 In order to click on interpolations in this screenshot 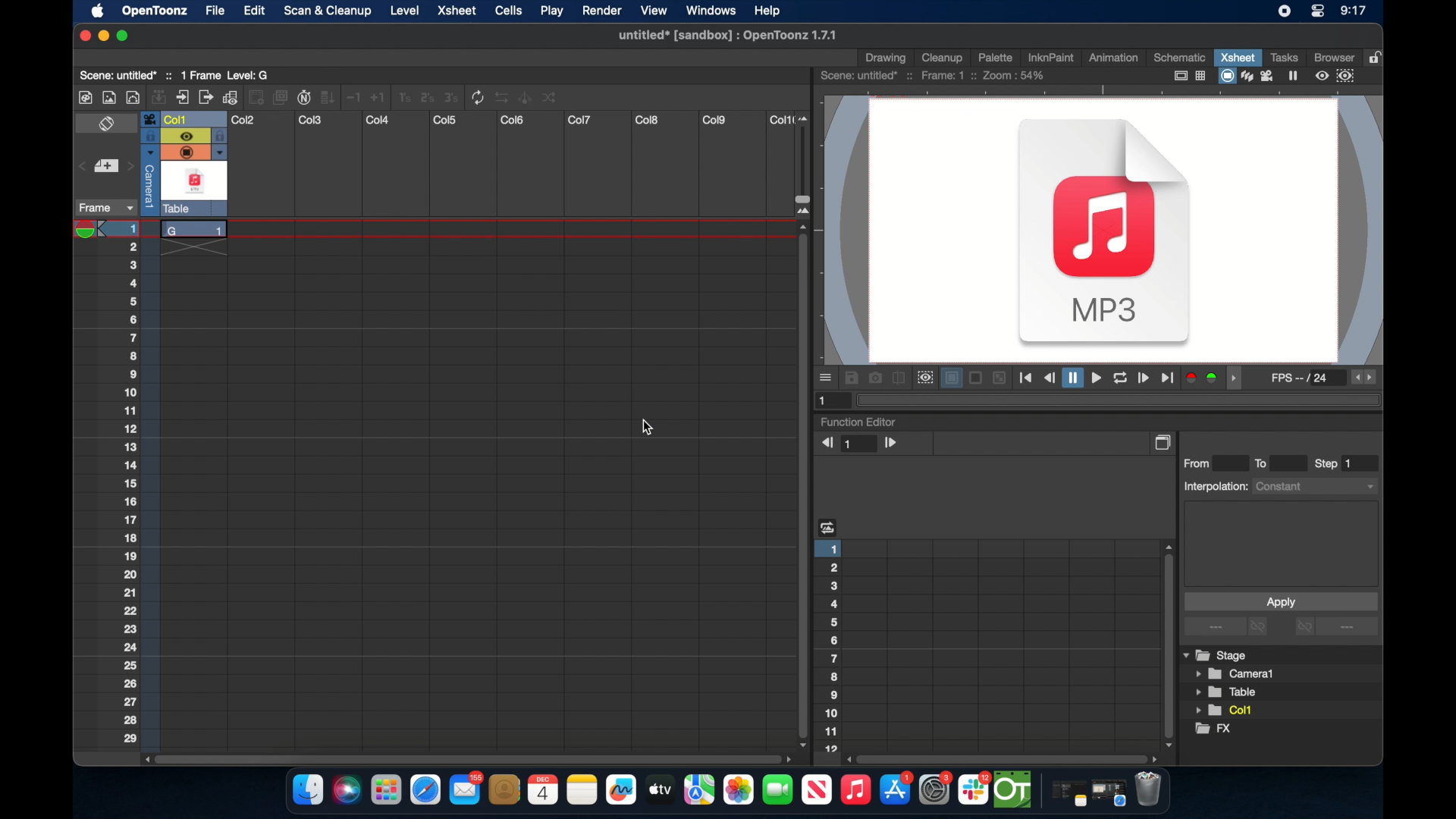, I will do `click(1279, 485)`.